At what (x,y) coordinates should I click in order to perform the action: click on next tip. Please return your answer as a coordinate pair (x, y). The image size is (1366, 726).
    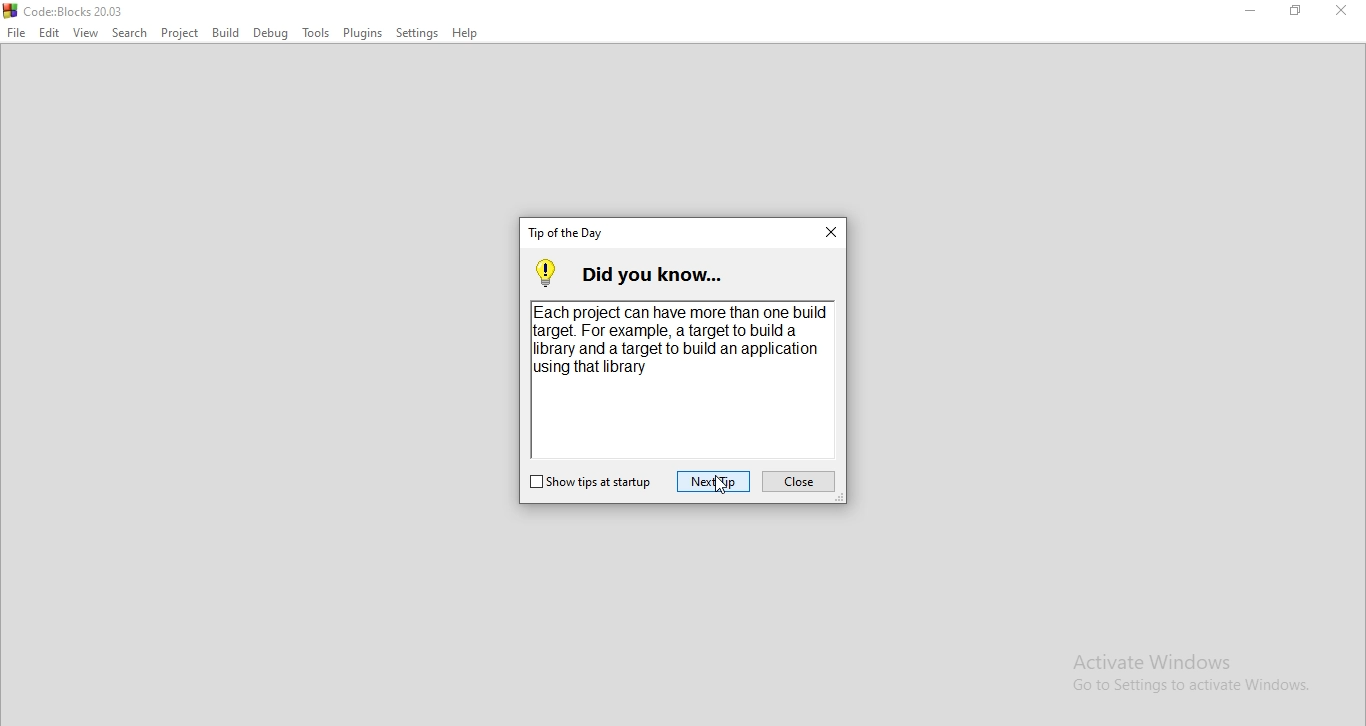
    Looking at the image, I should click on (713, 481).